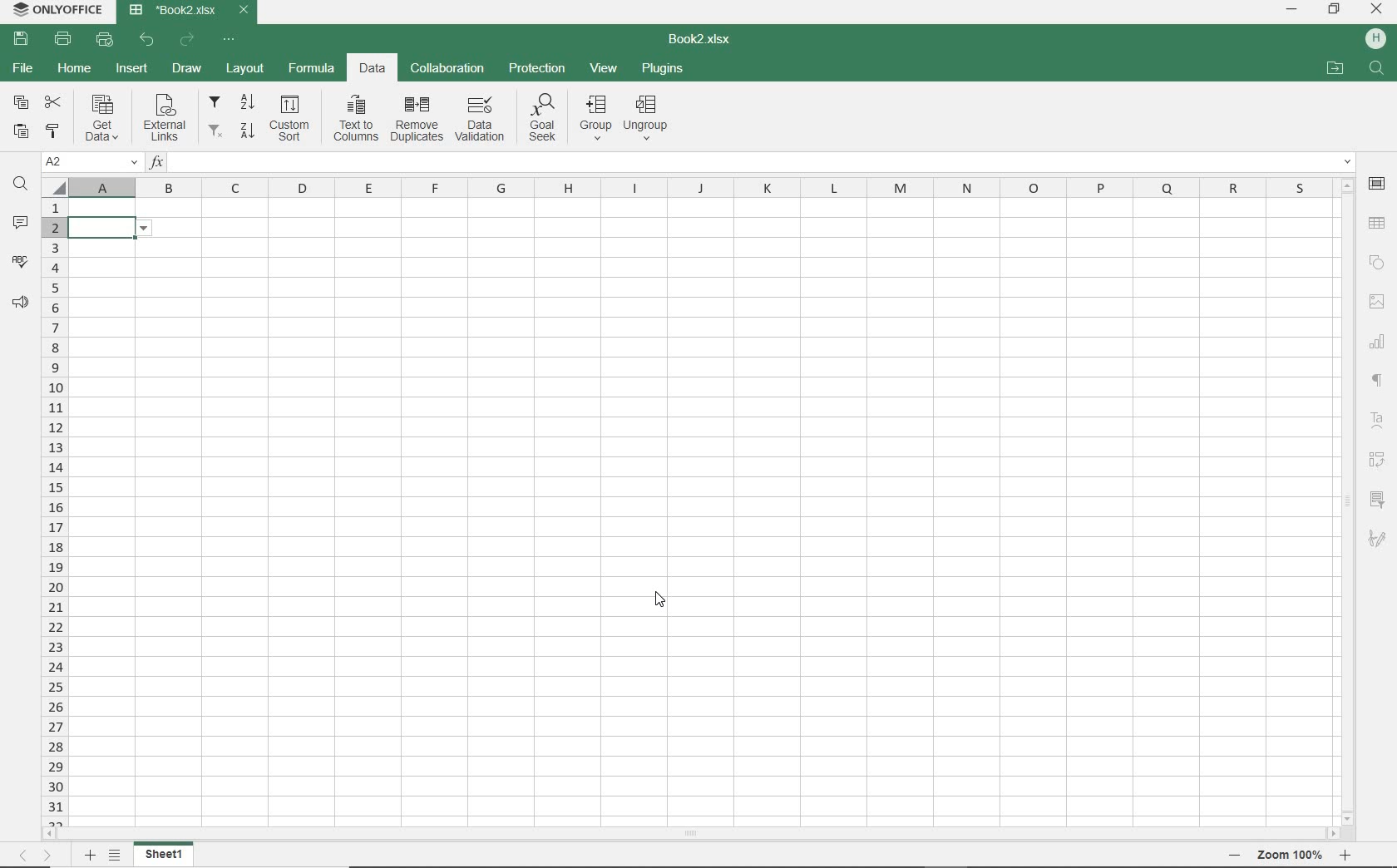 This screenshot has height=868, width=1397. I want to click on text to columns, so click(357, 117).